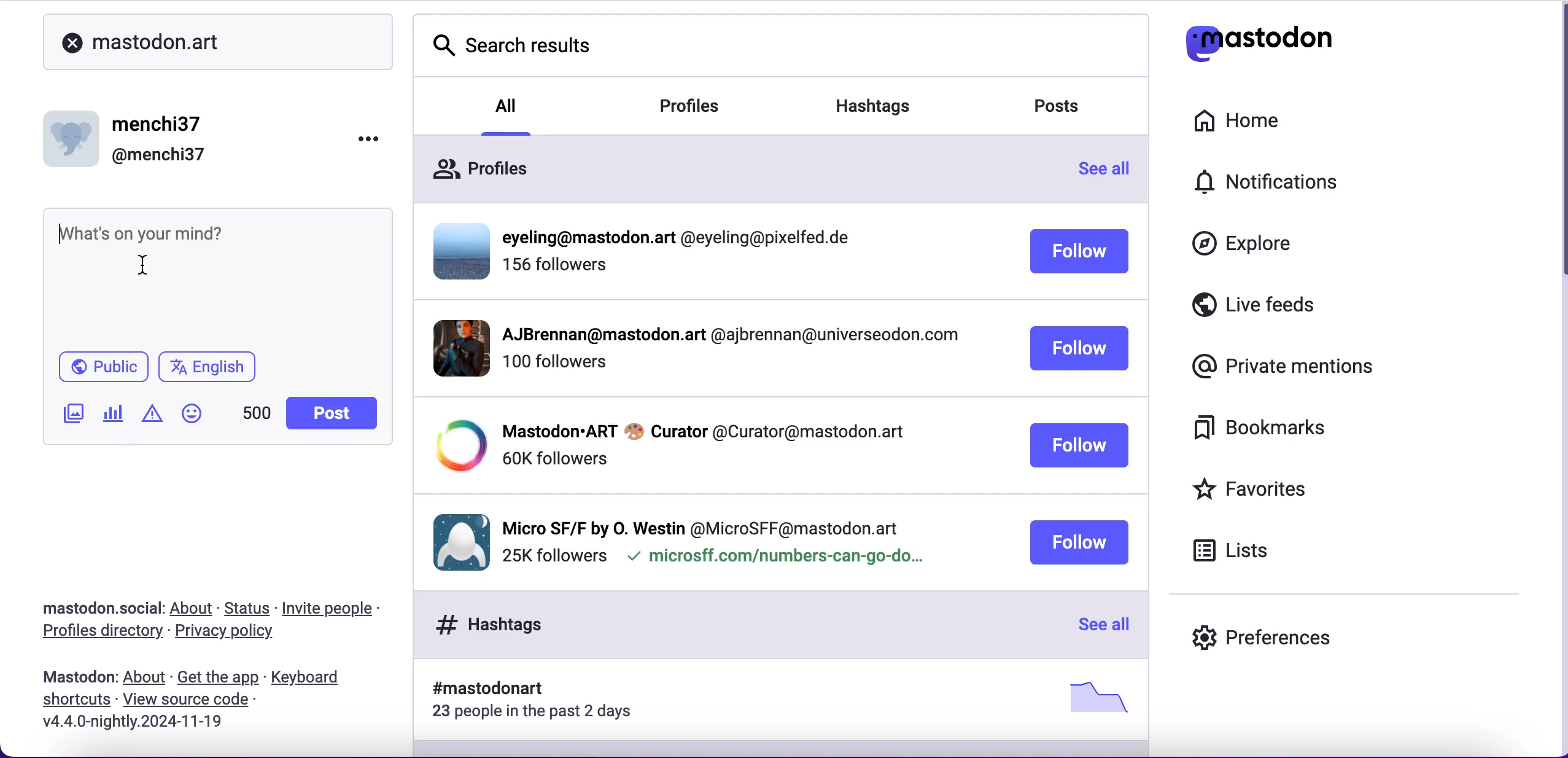 The width and height of the screenshot is (1568, 758). Describe the element at coordinates (708, 107) in the screenshot. I see `profiles` at that location.